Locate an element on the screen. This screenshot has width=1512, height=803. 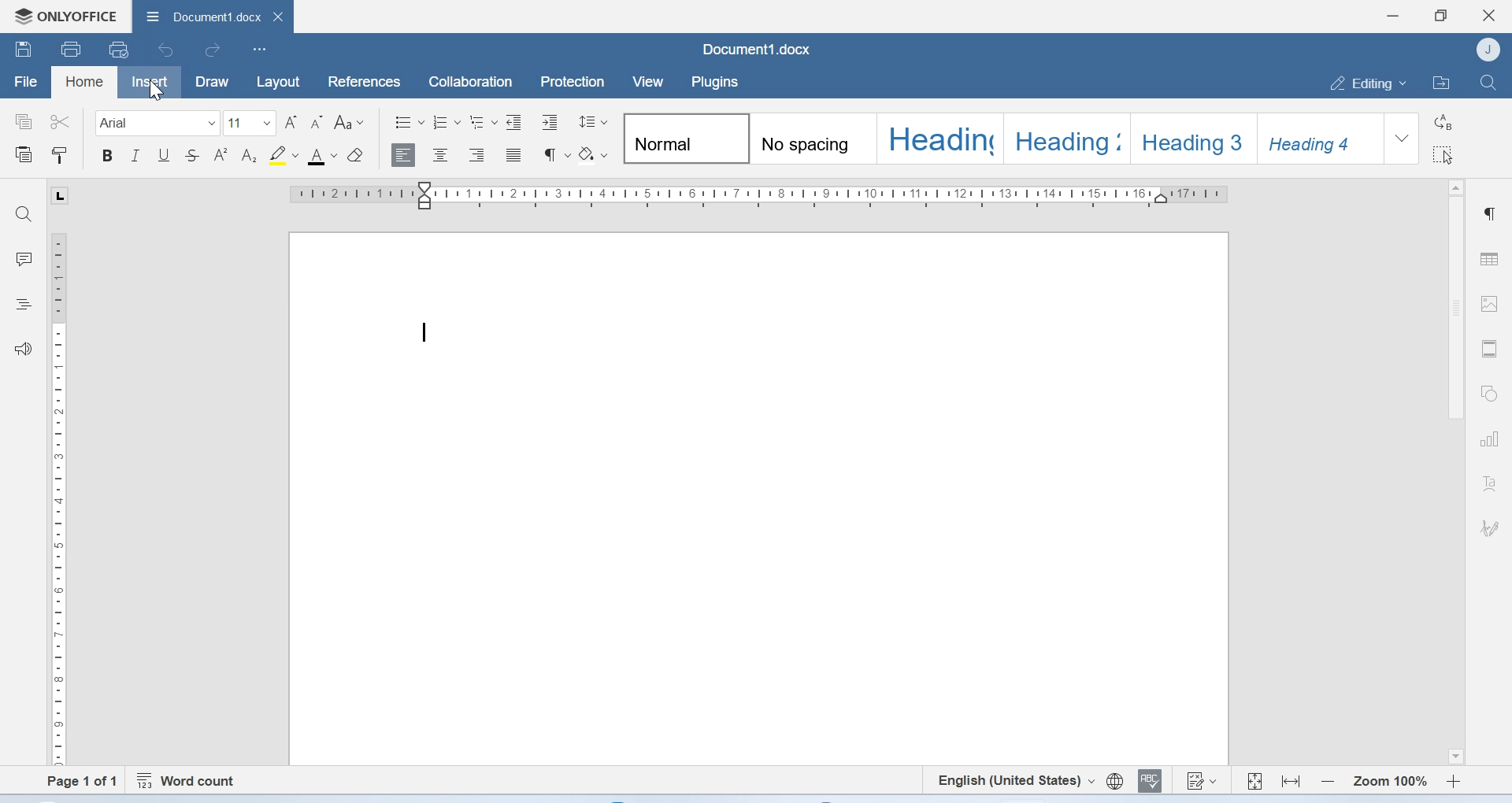
Find is located at coordinates (28, 214).